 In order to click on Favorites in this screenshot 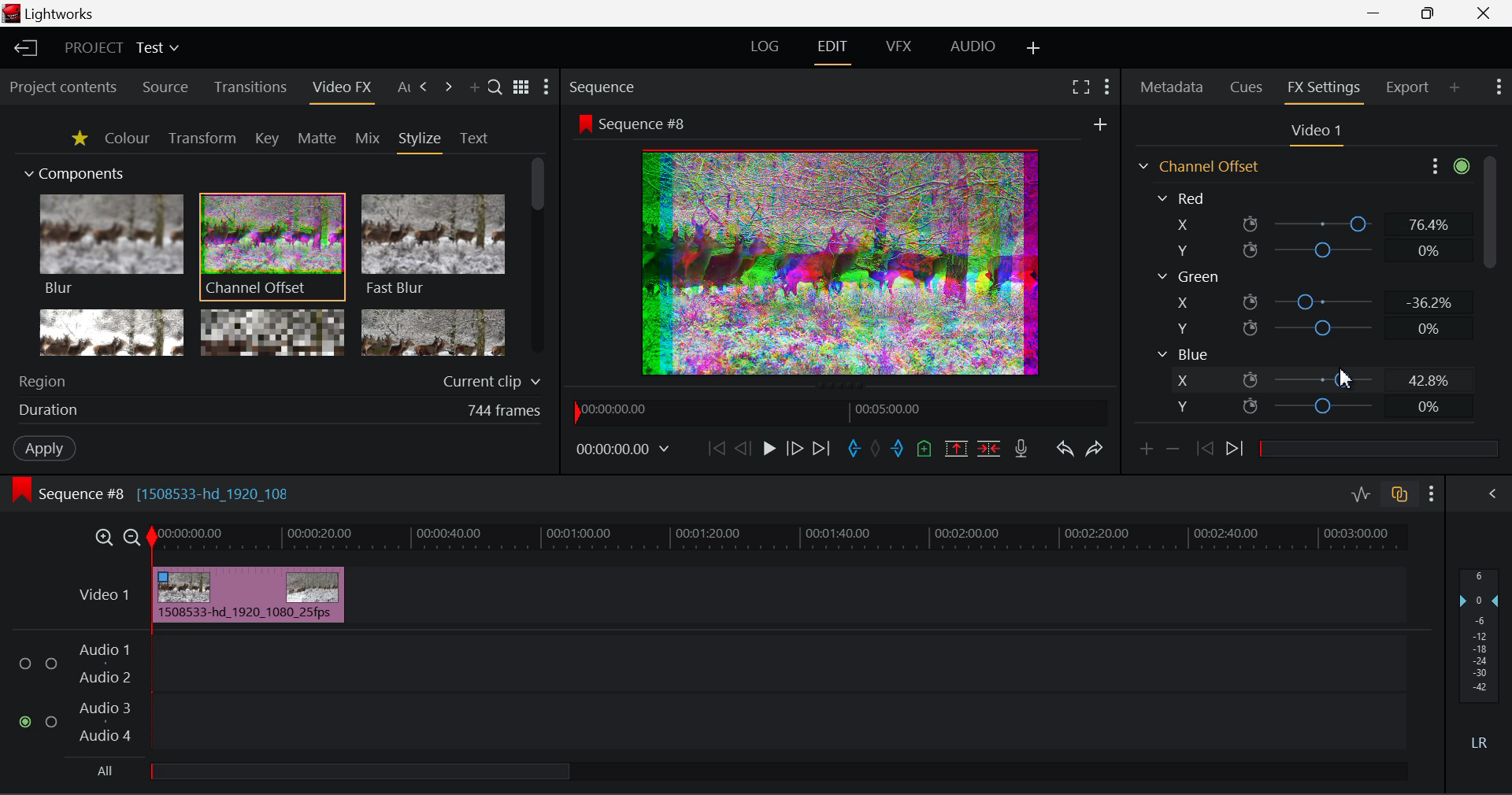, I will do `click(79, 140)`.